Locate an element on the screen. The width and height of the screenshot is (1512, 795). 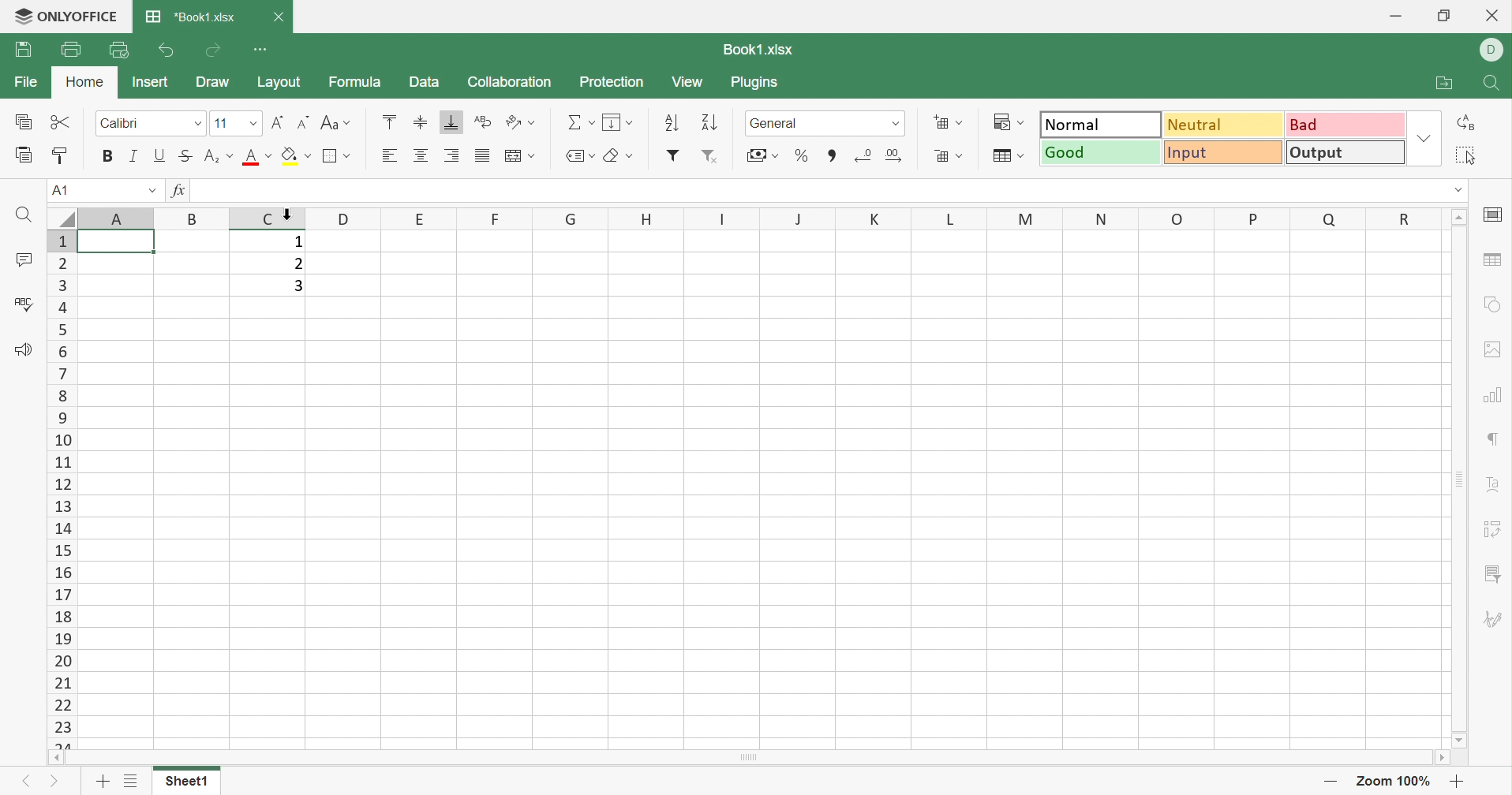
Drop Down is located at coordinates (305, 155).